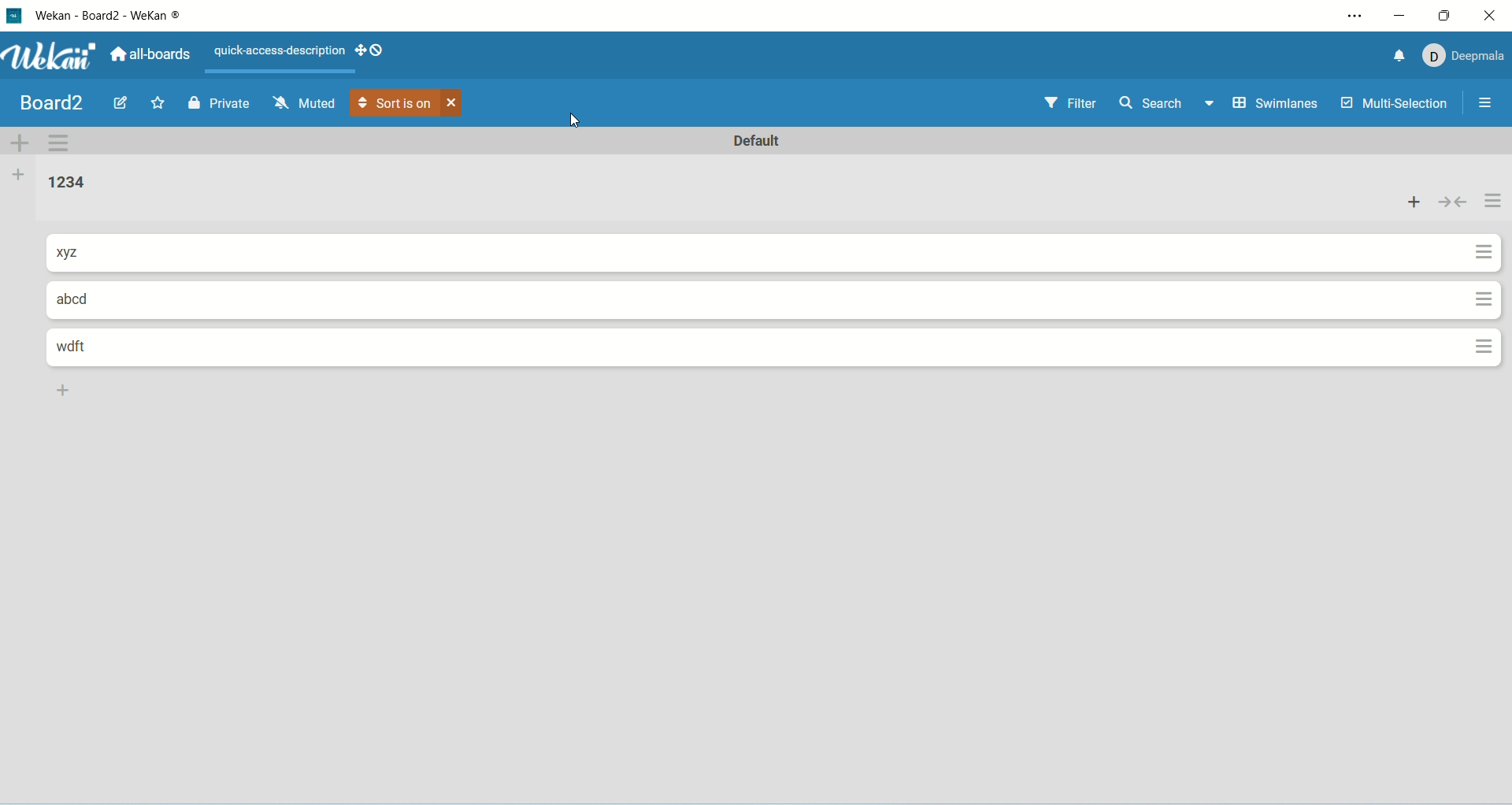  I want to click on muted, so click(306, 104).